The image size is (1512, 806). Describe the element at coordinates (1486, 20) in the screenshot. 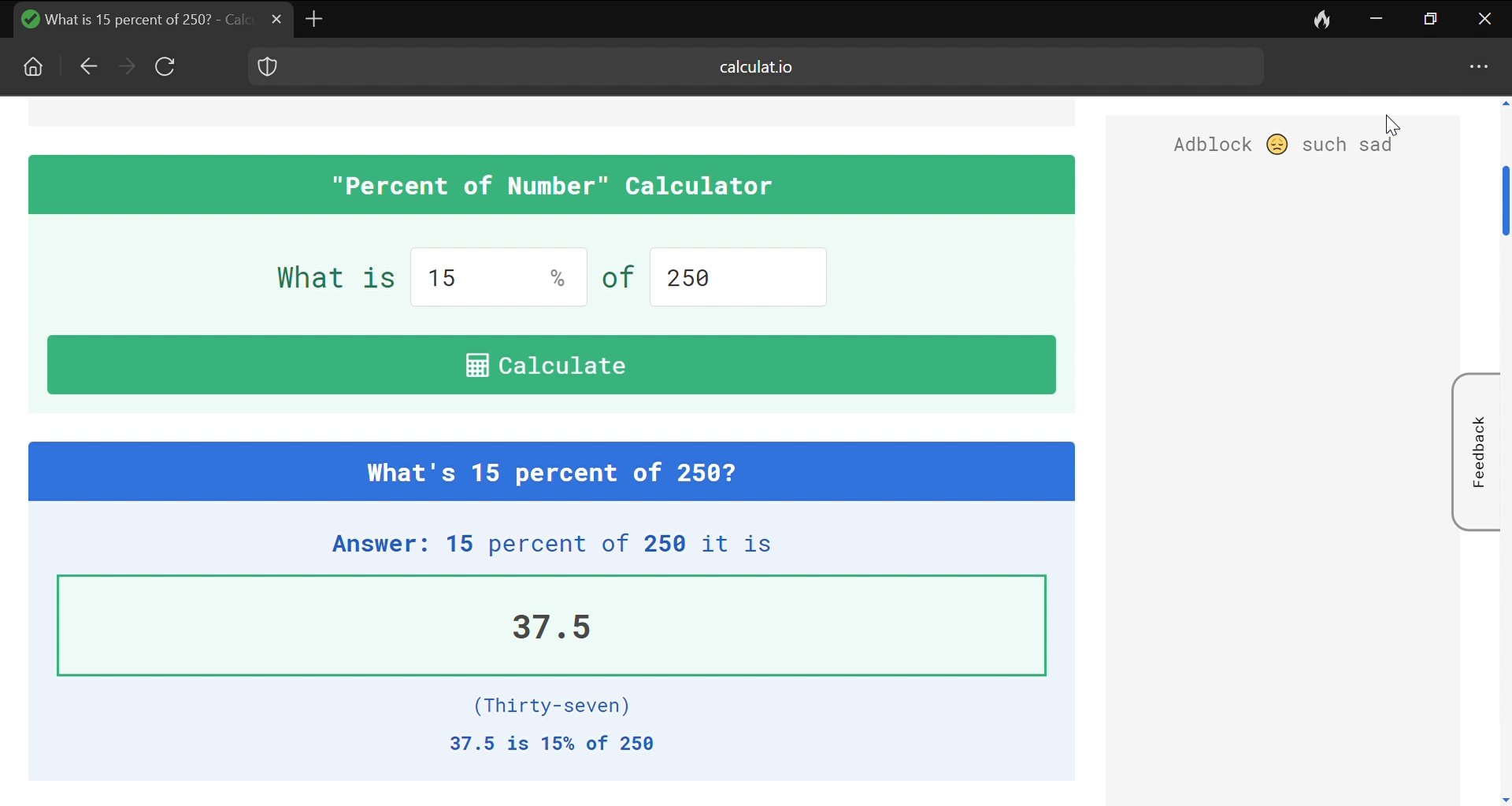

I see `close` at that location.